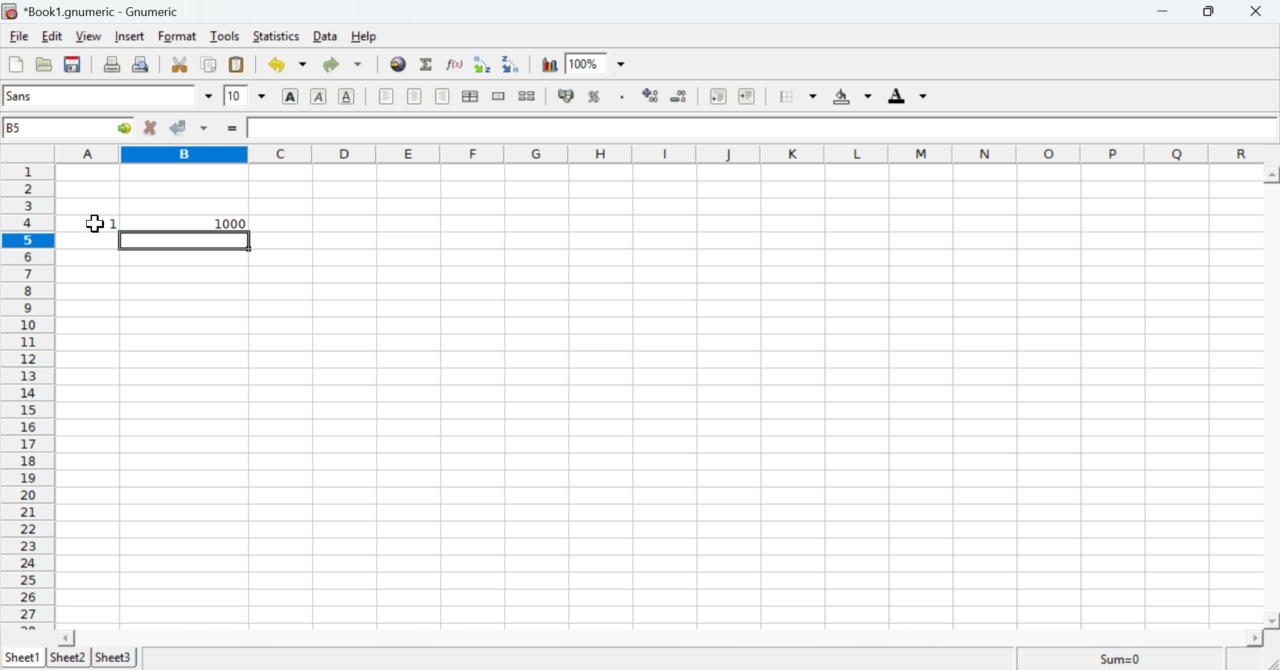  I want to click on Align right , so click(442, 97).